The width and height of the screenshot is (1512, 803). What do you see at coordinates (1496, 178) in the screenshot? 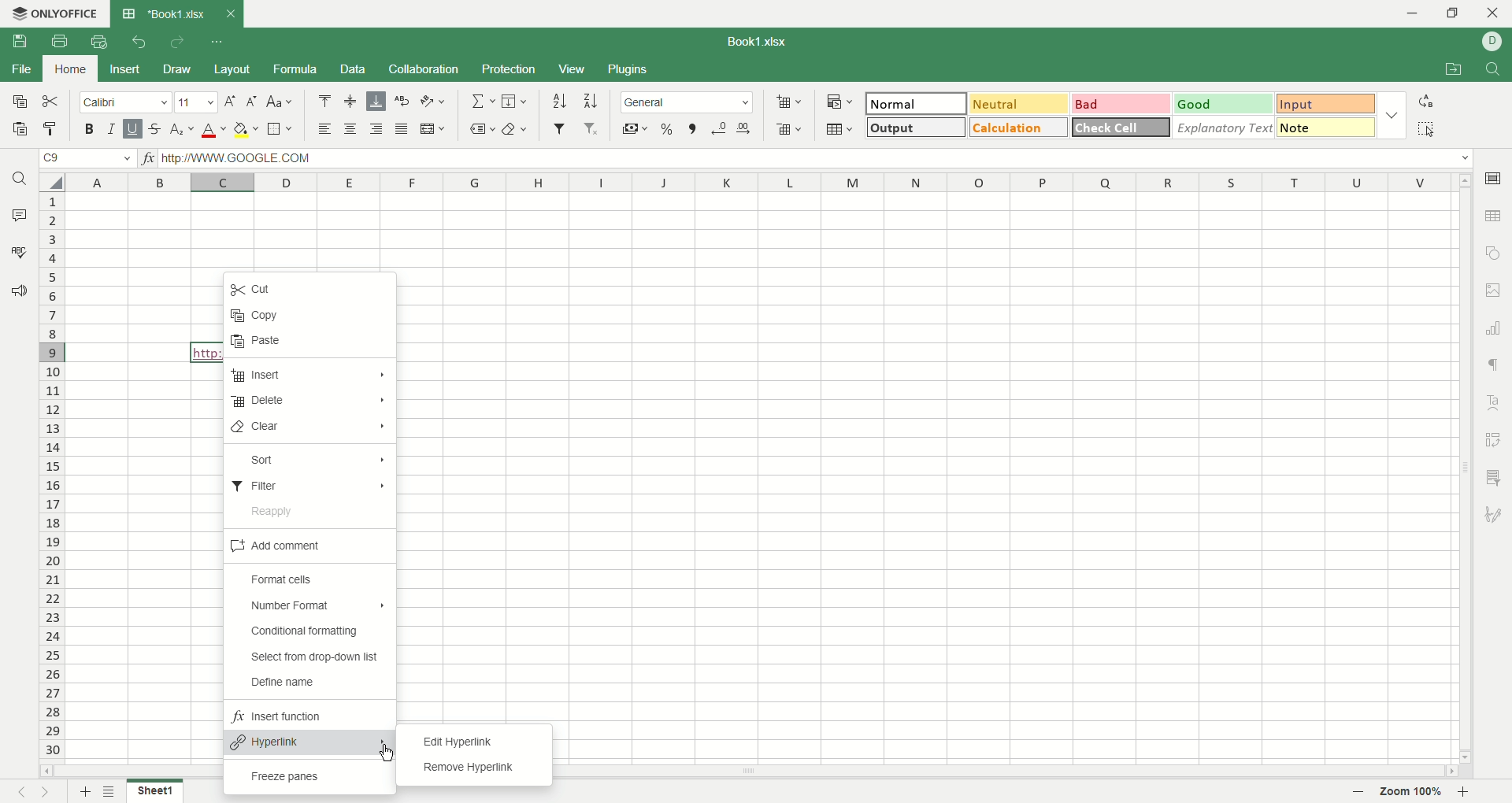
I see `cell option` at bounding box center [1496, 178].